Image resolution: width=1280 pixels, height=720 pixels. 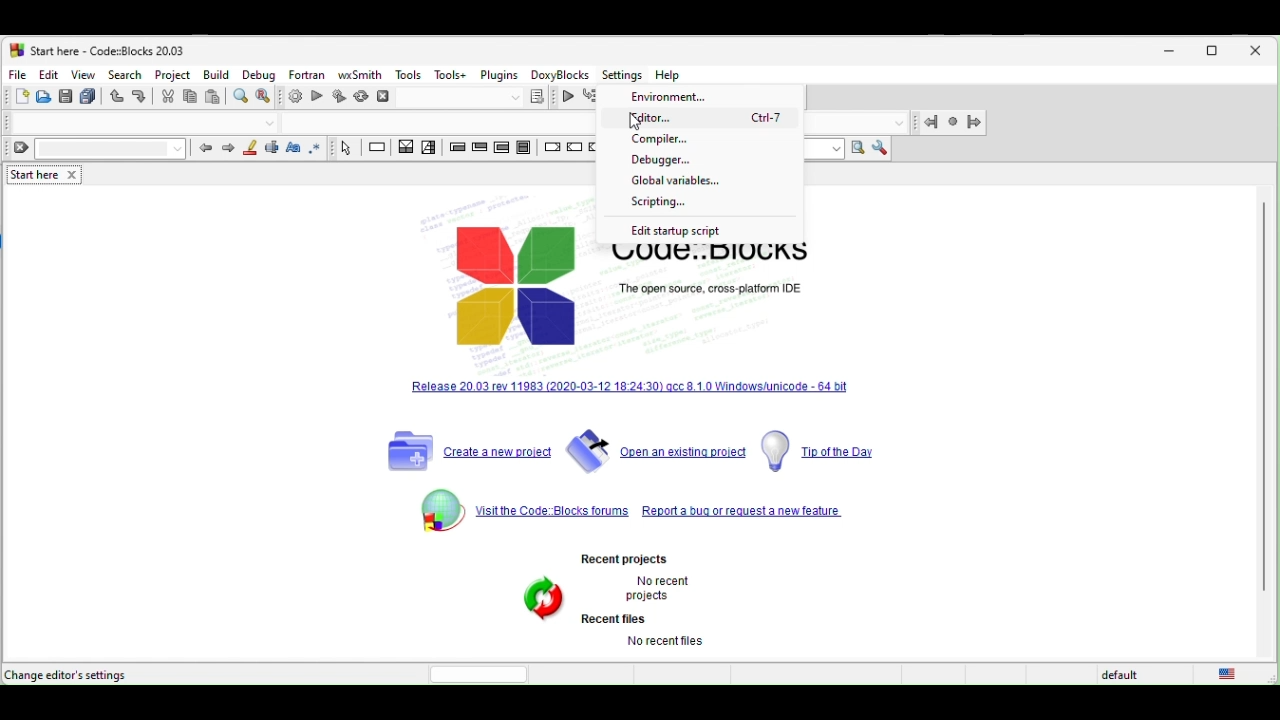 What do you see at coordinates (858, 149) in the screenshot?
I see `run search` at bounding box center [858, 149].